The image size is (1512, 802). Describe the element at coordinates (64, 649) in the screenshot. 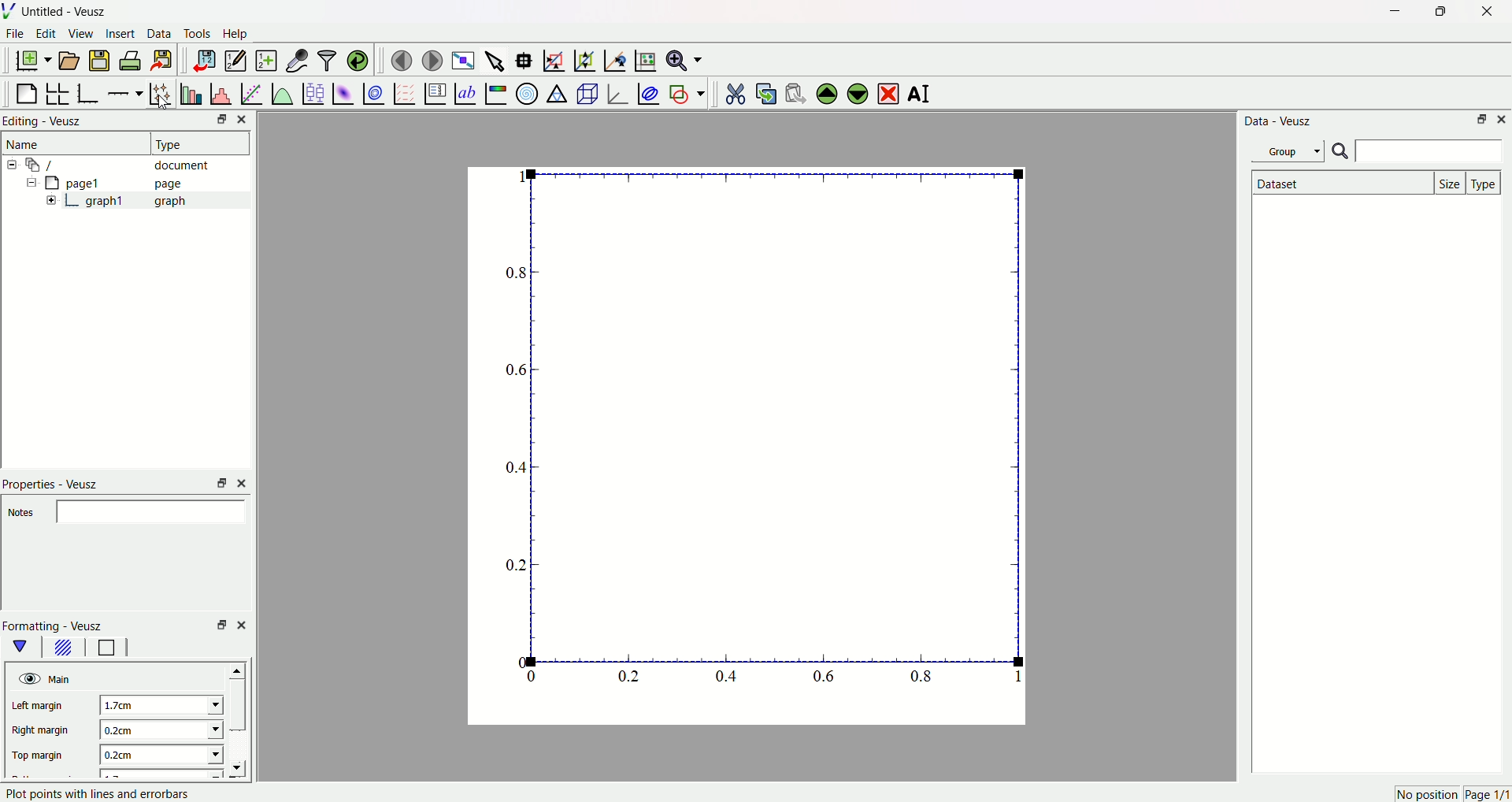

I see `background` at that location.